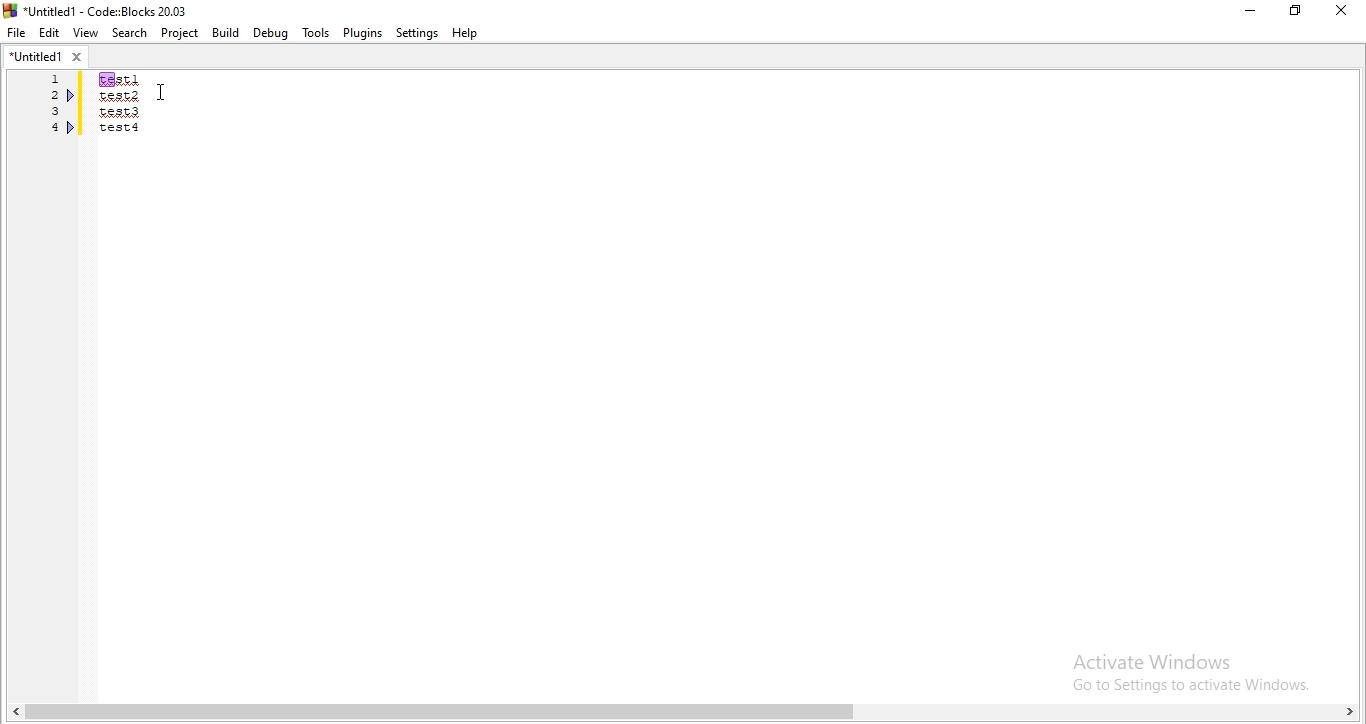  I want to click on file, so click(15, 31).